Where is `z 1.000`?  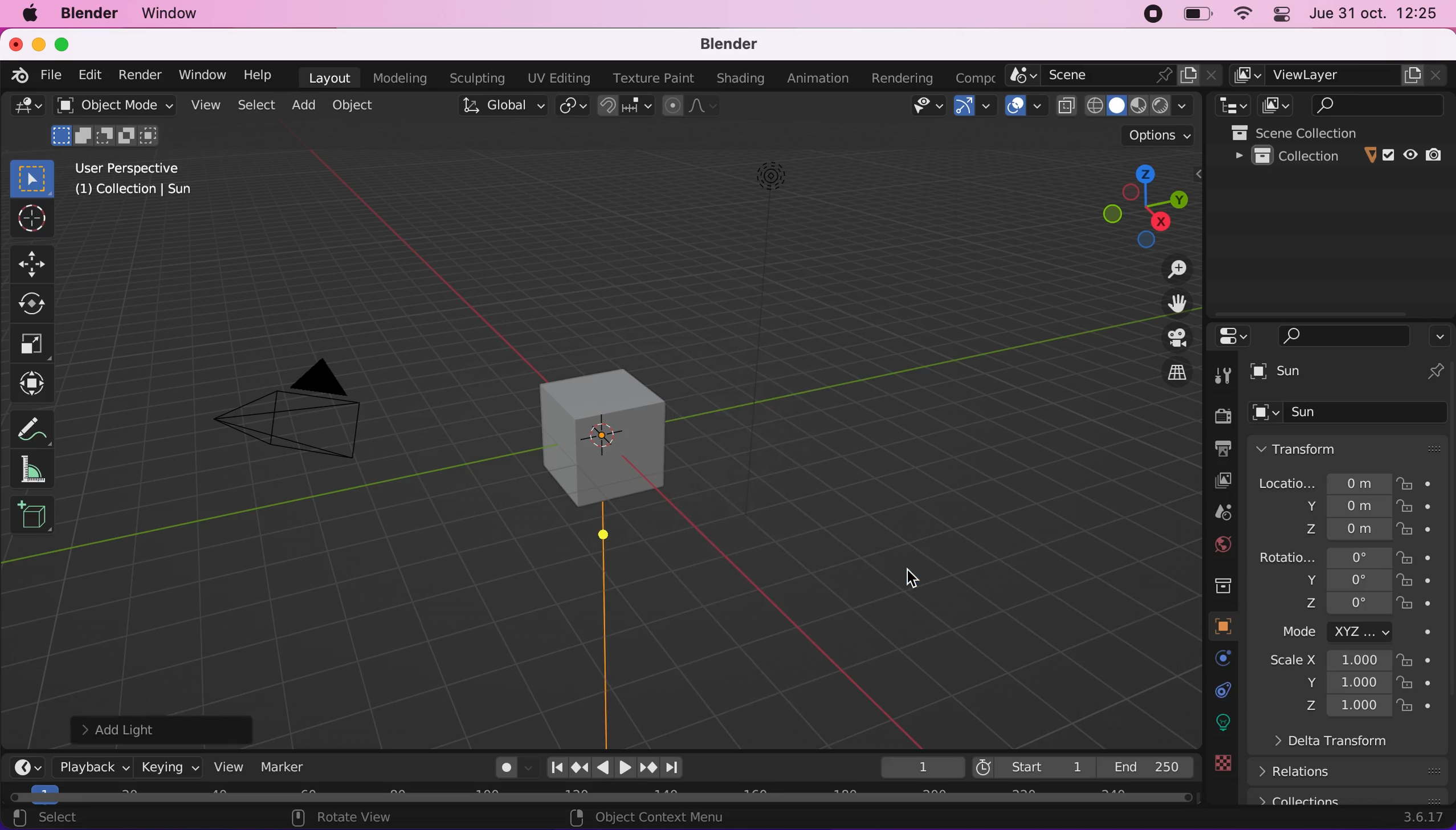 z 1.000 is located at coordinates (1348, 707).